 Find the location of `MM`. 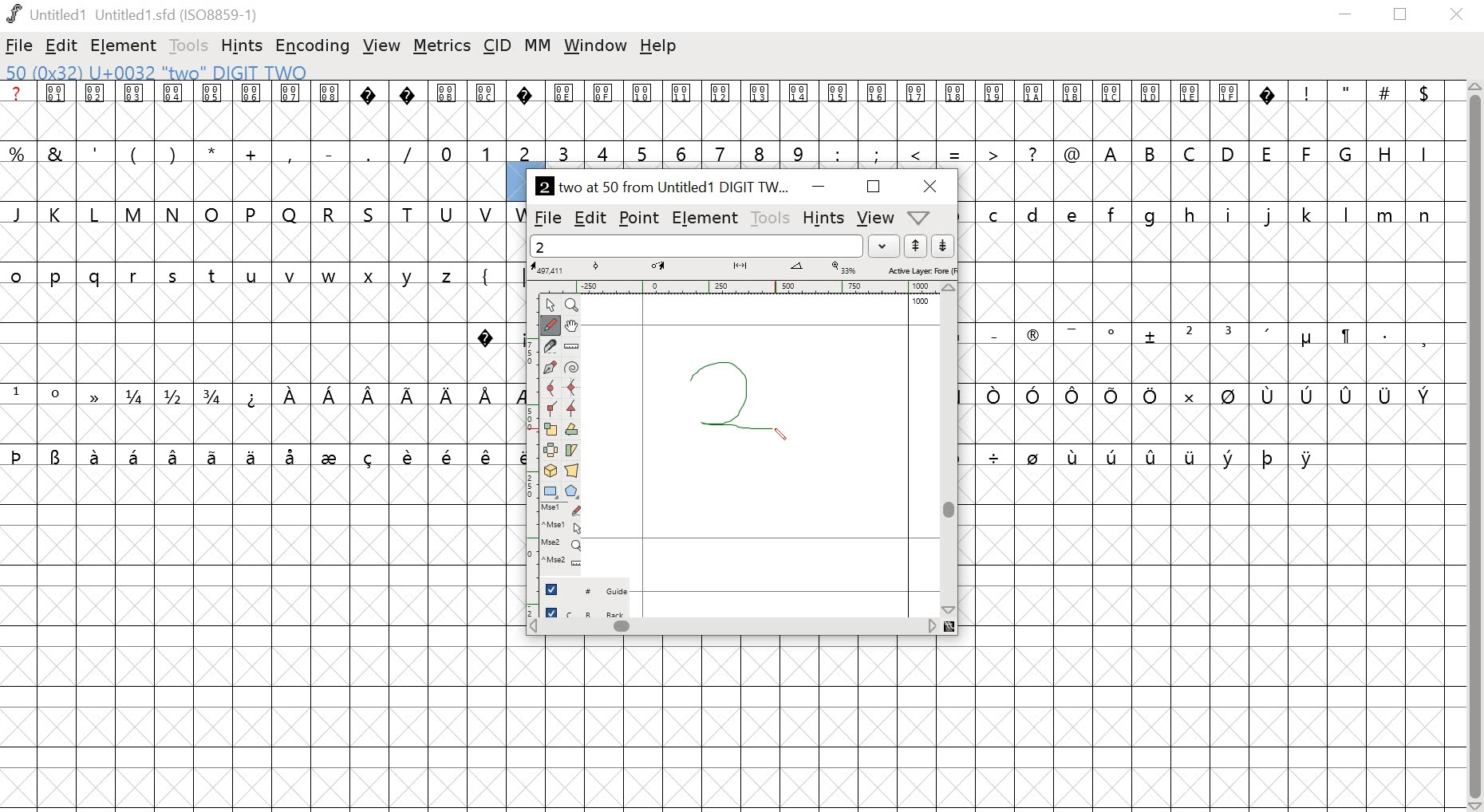

MM is located at coordinates (535, 47).